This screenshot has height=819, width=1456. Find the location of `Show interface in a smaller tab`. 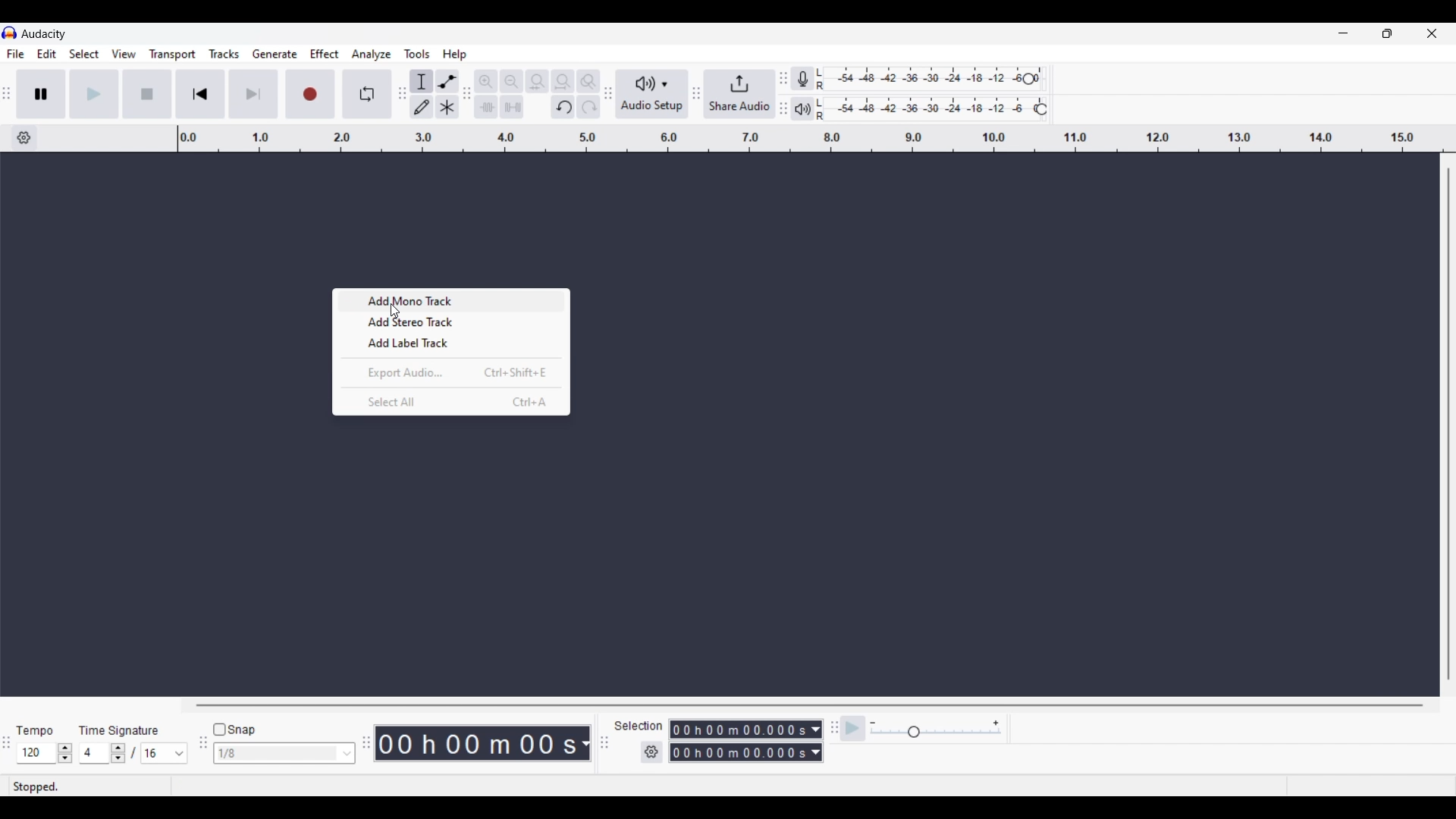

Show interface in a smaller tab is located at coordinates (1387, 33).